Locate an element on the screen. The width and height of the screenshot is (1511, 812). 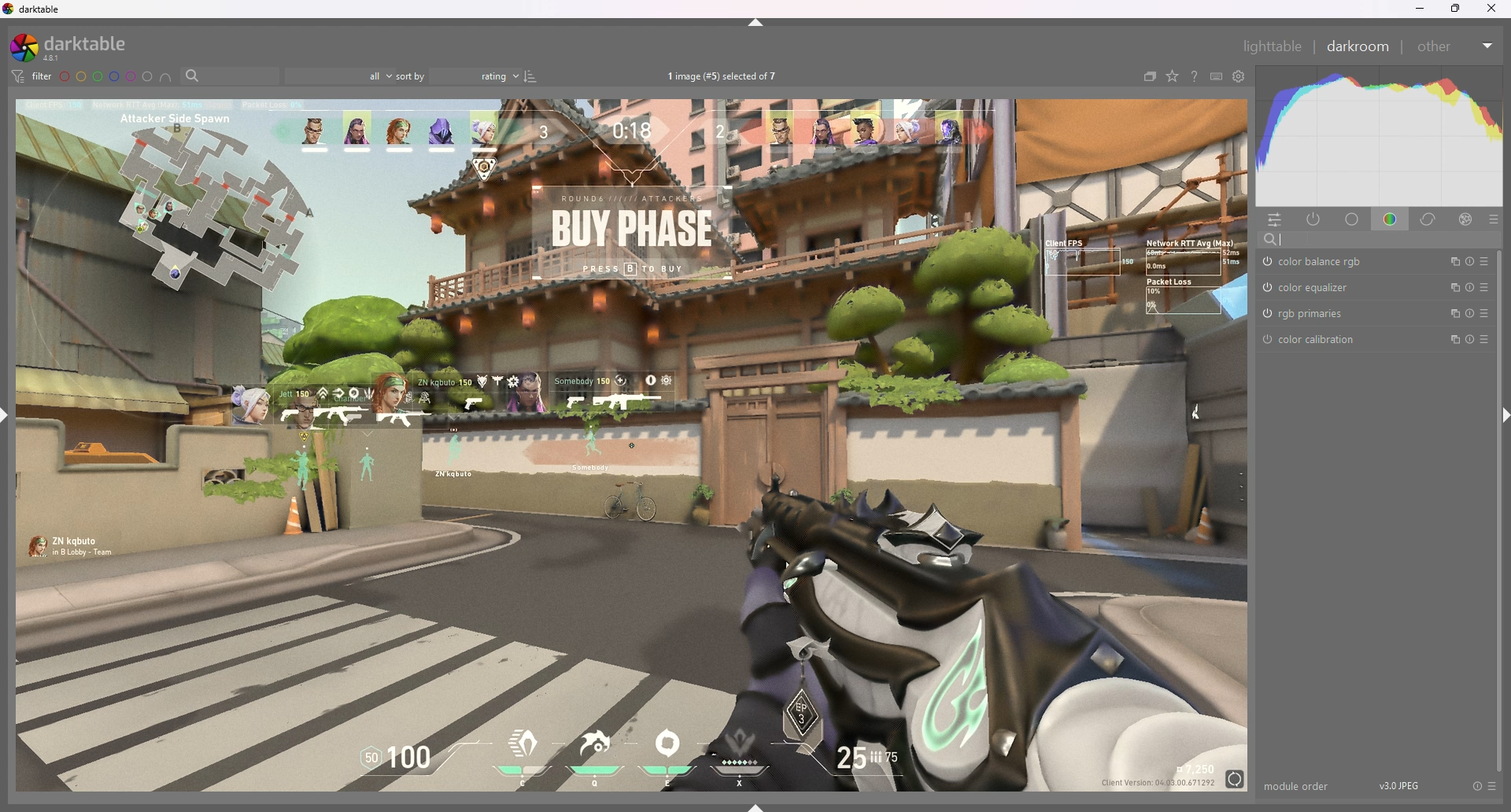
version is located at coordinates (1399, 785).